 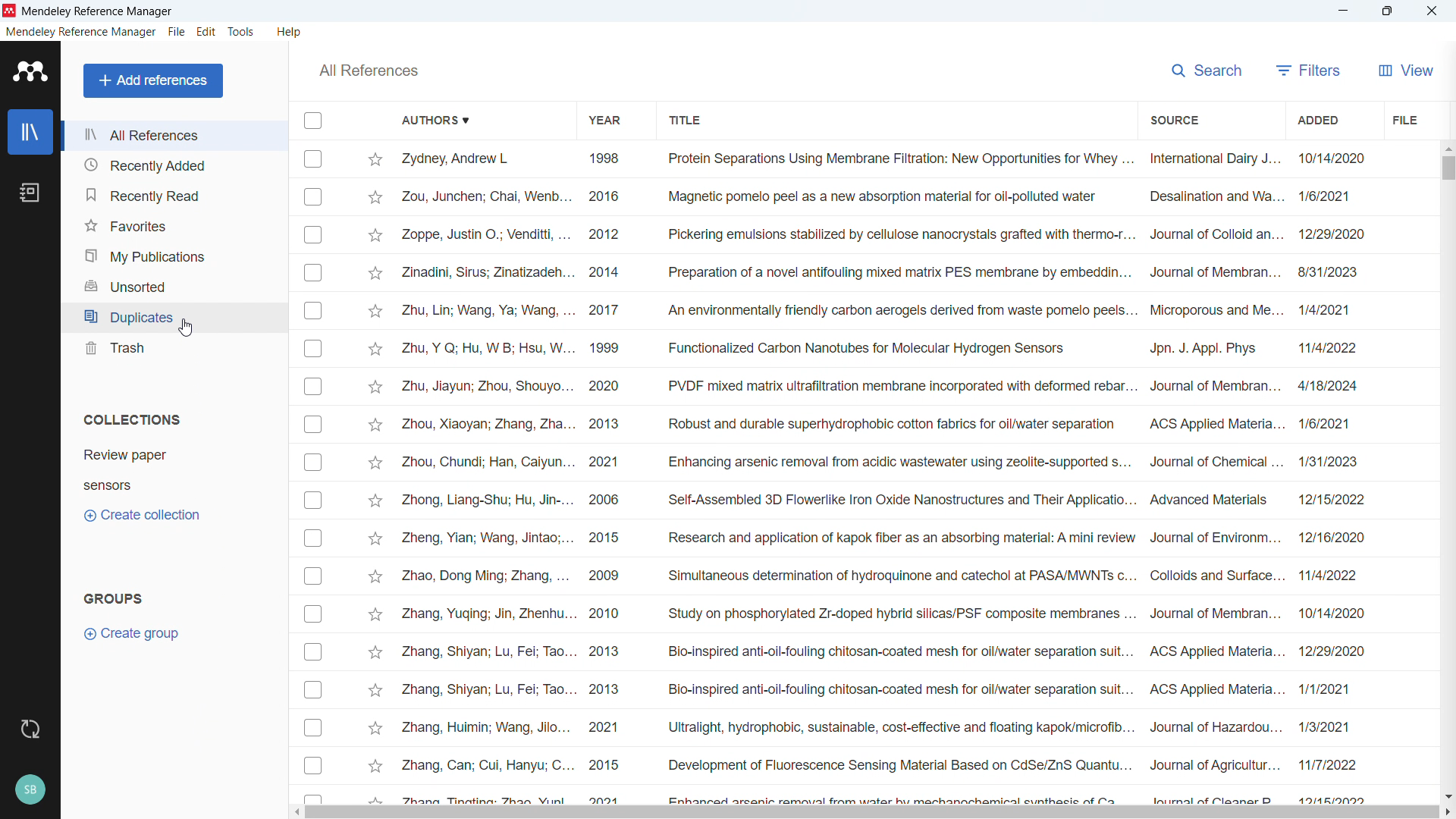 I want to click on file, so click(x=1406, y=120).